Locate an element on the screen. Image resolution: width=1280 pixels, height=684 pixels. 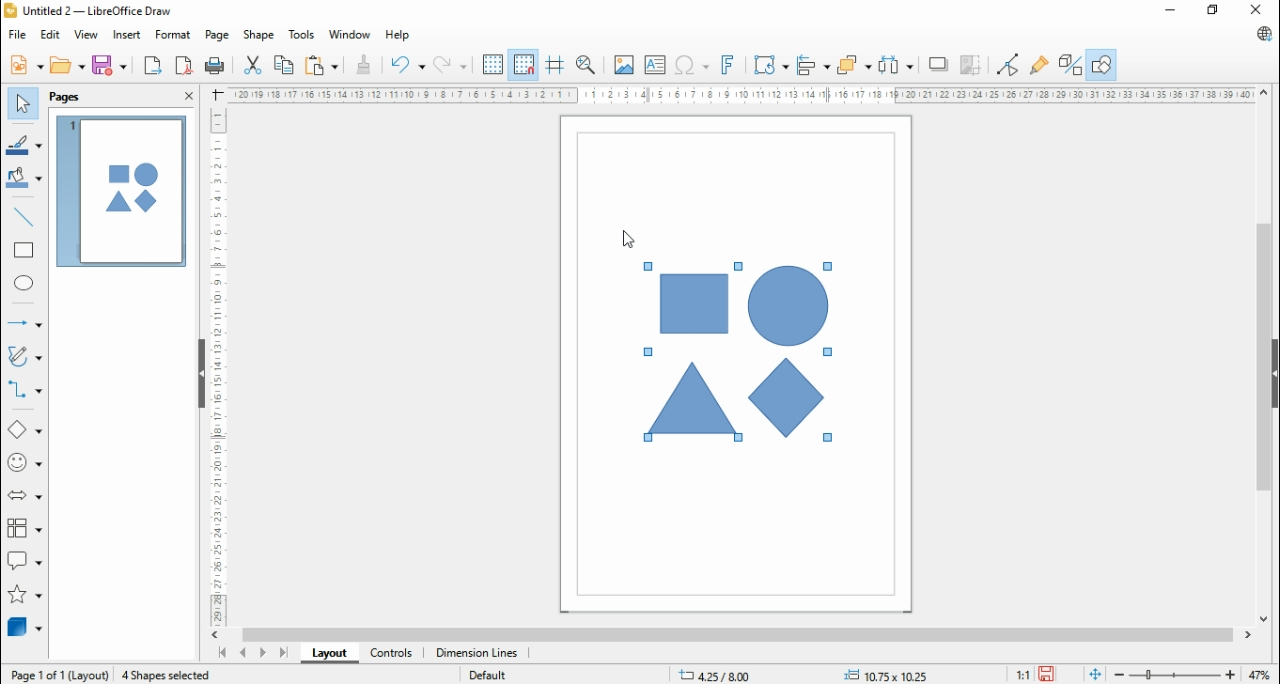
callout shapes is located at coordinates (25, 560).